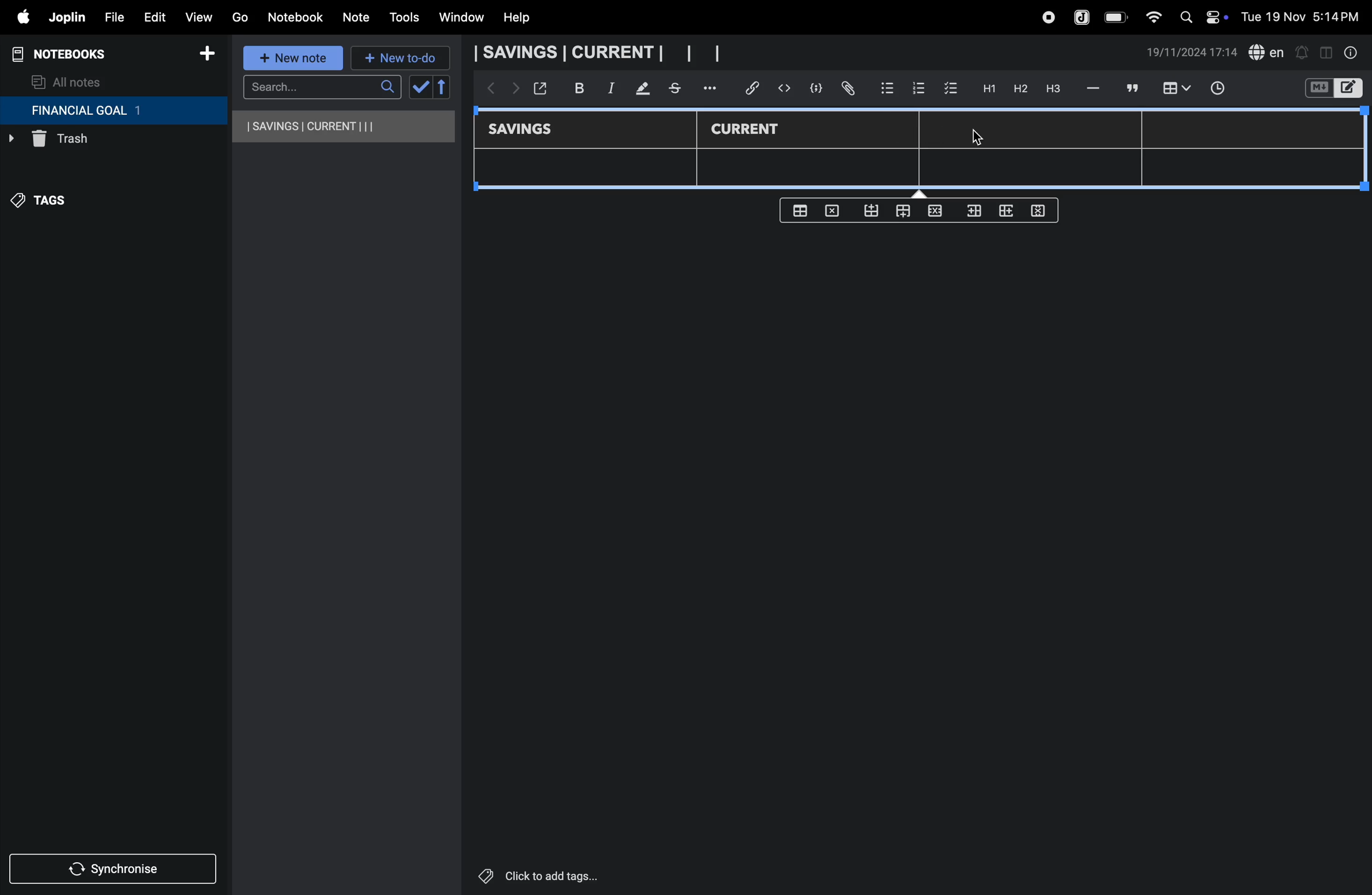 This screenshot has height=895, width=1372. Describe the element at coordinates (512, 91) in the screenshot. I see `forward` at that location.